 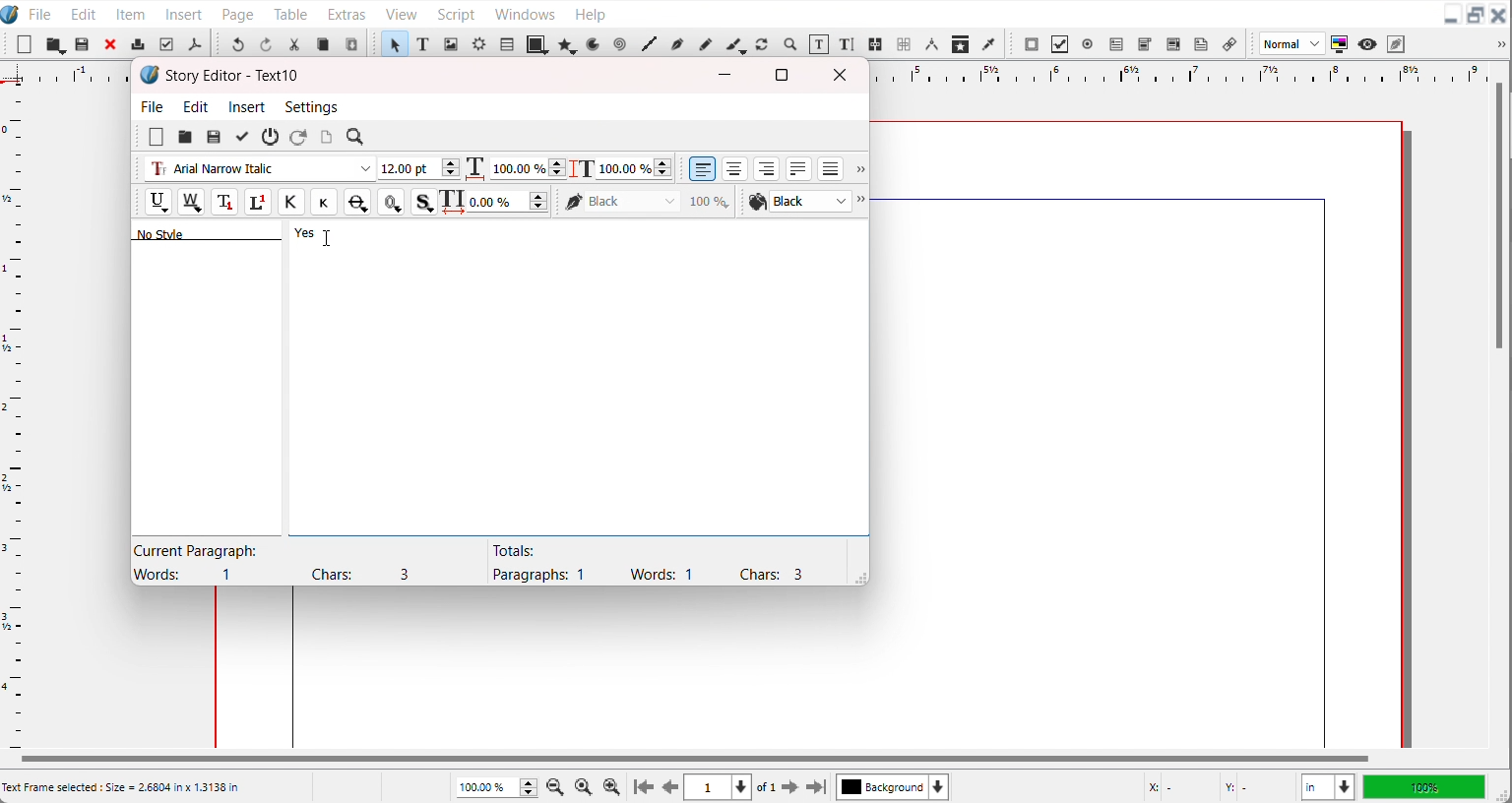 What do you see at coordinates (799, 168) in the screenshot?
I see `Align text Justified` at bounding box center [799, 168].